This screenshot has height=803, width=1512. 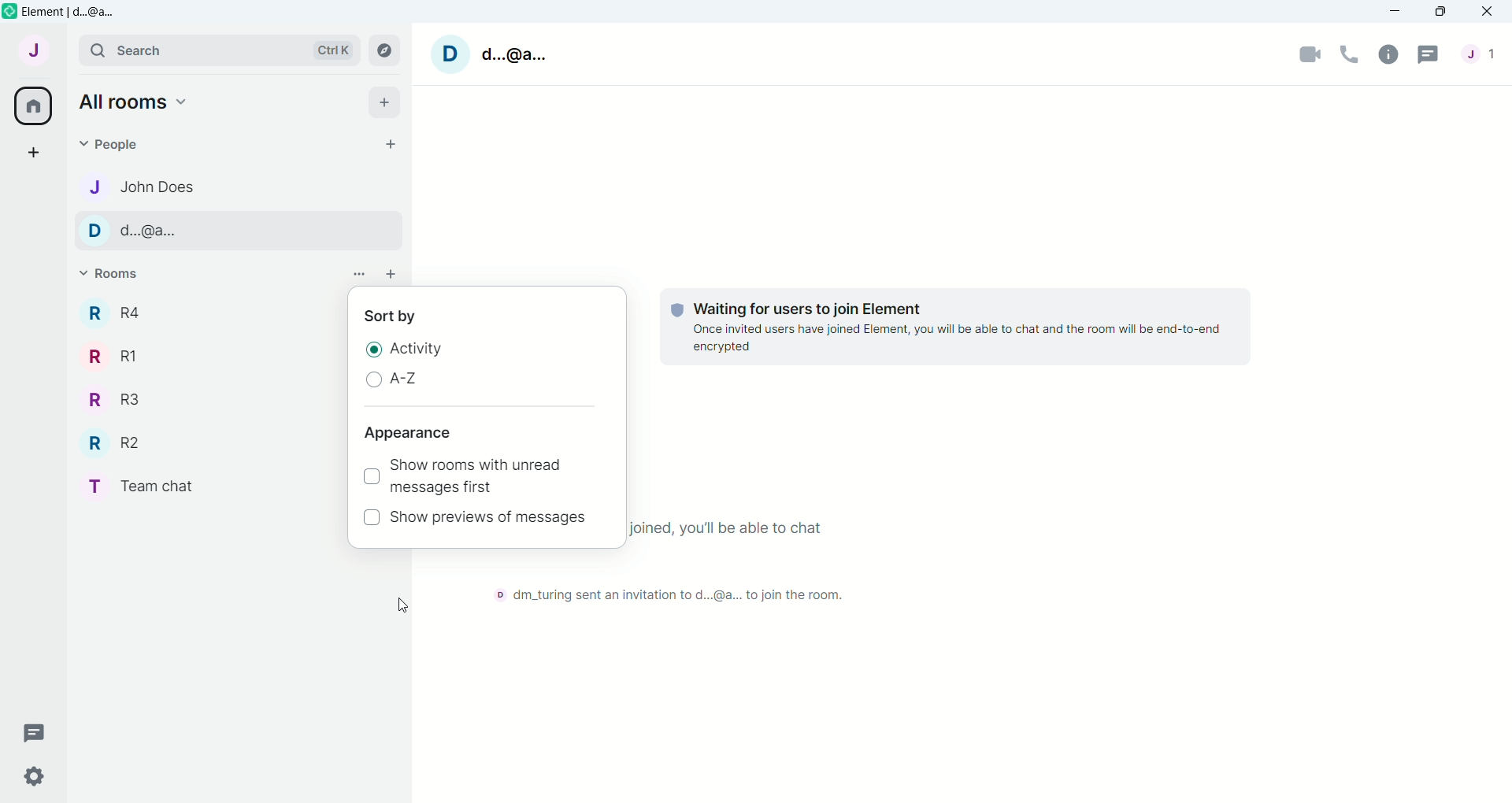 What do you see at coordinates (1488, 12) in the screenshot?
I see `Close` at bounding box center [1488, 12].